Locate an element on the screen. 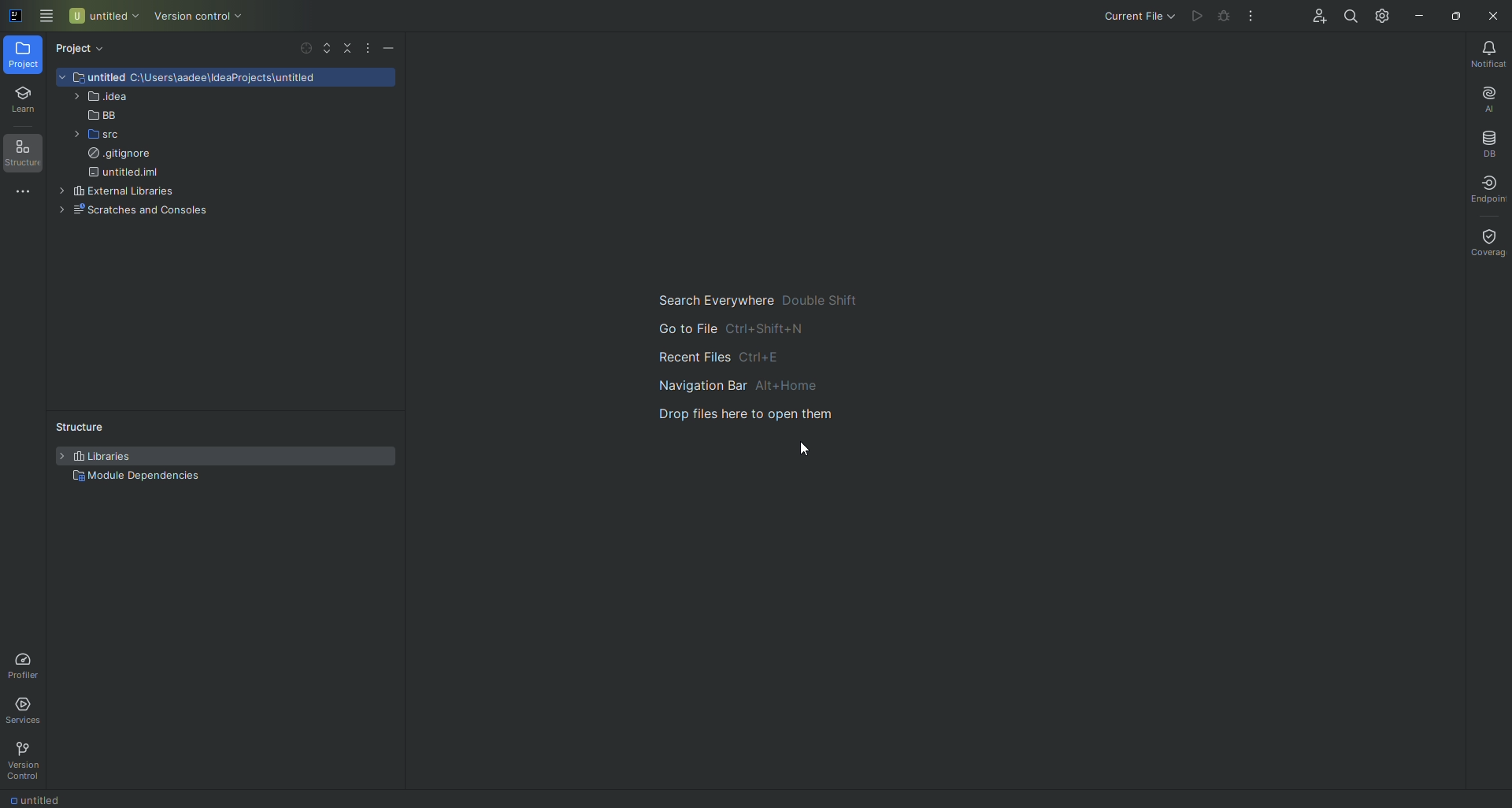  Select is located at coordinates (305, 47).